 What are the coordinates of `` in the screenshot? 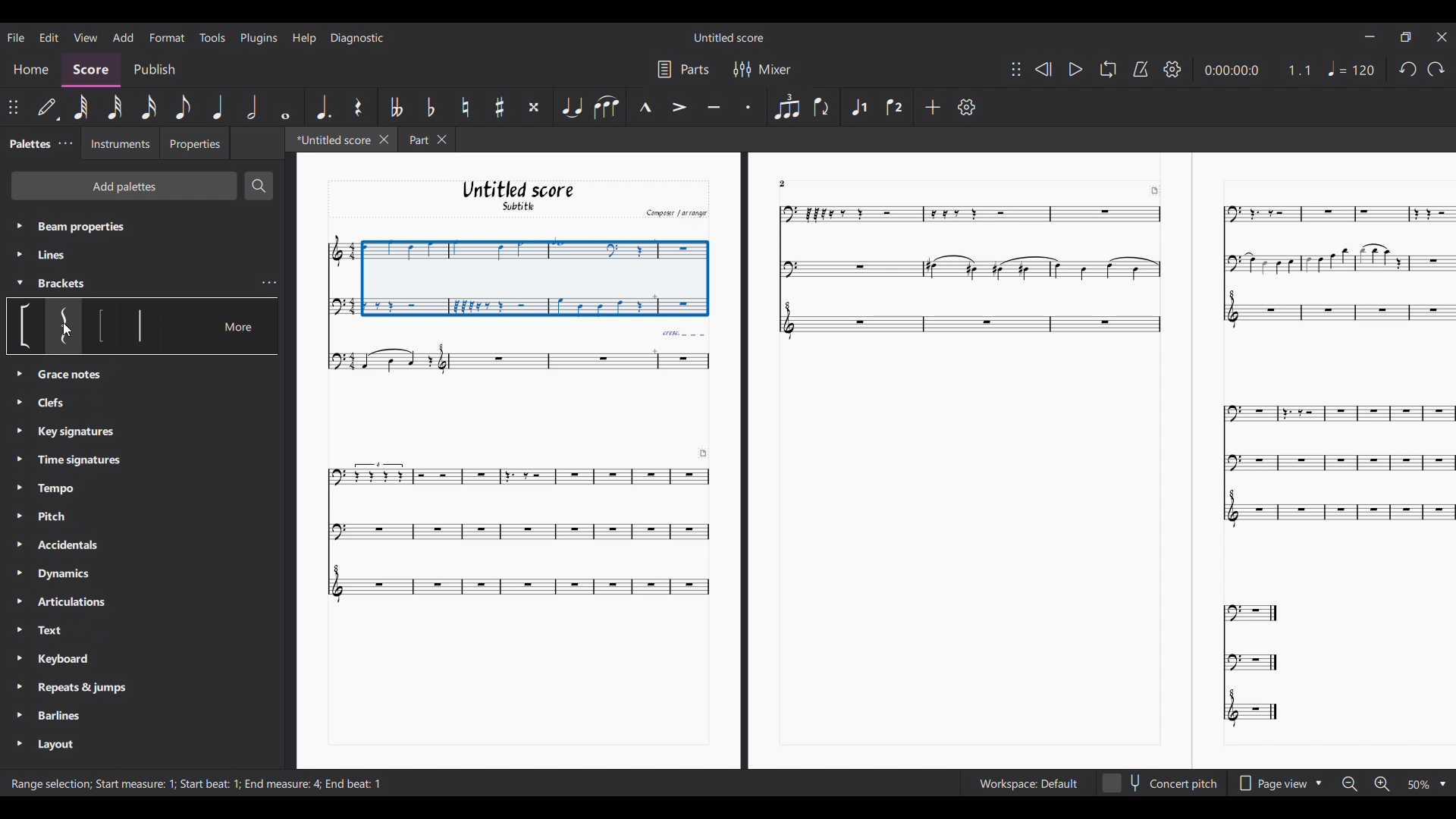 It's located at (17, 403).